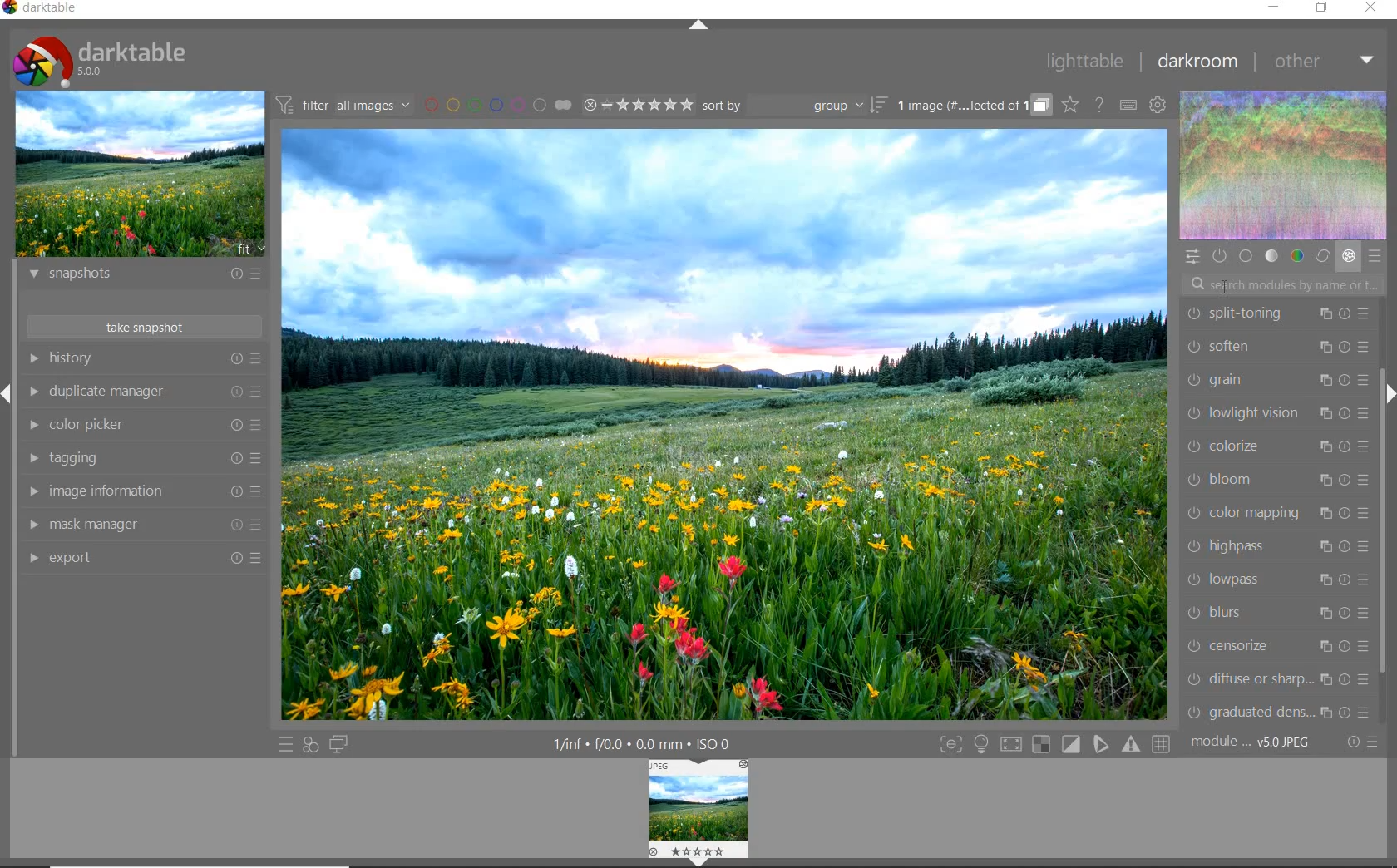  What do you see at coordinates (1277, 445) in the screenshot?
I see `colorize` at bounding box center [1277, 445].